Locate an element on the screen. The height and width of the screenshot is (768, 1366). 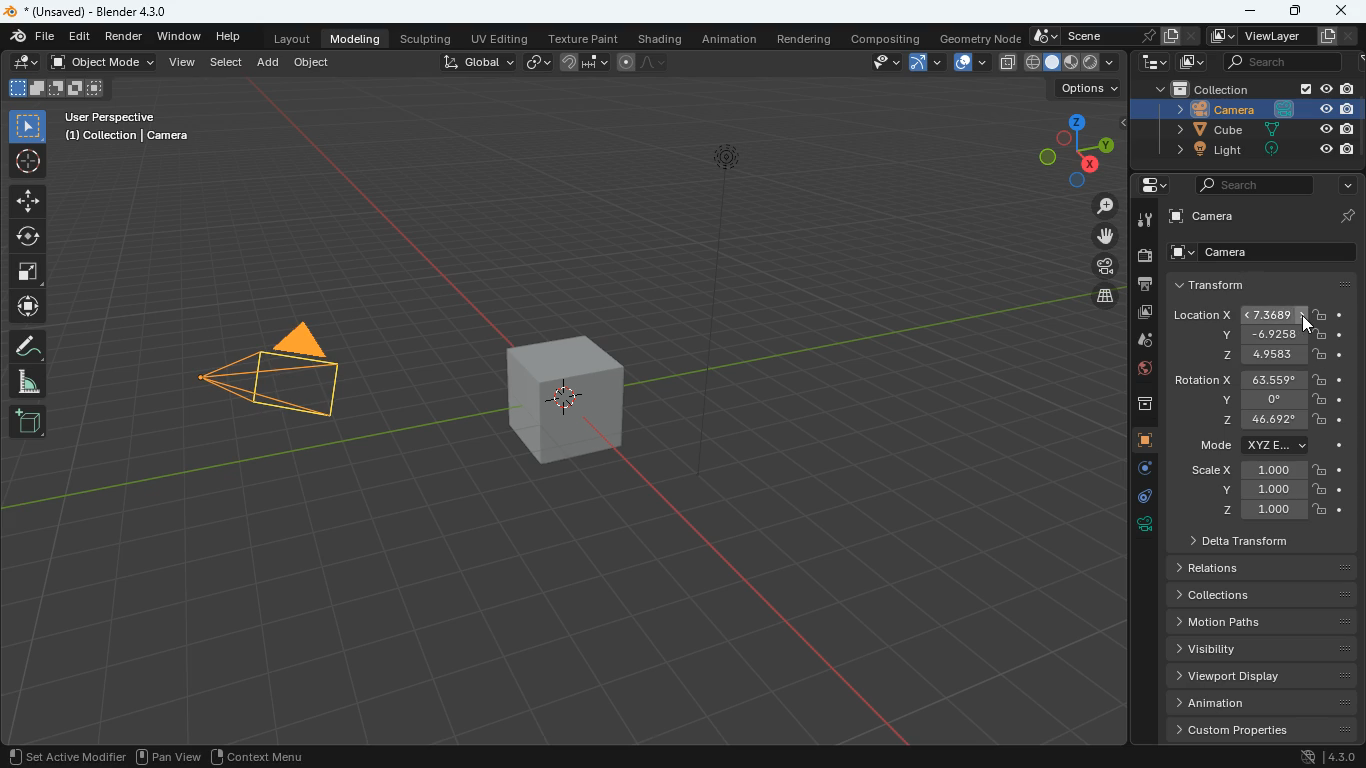
blender is located at coordinates (28, 37).